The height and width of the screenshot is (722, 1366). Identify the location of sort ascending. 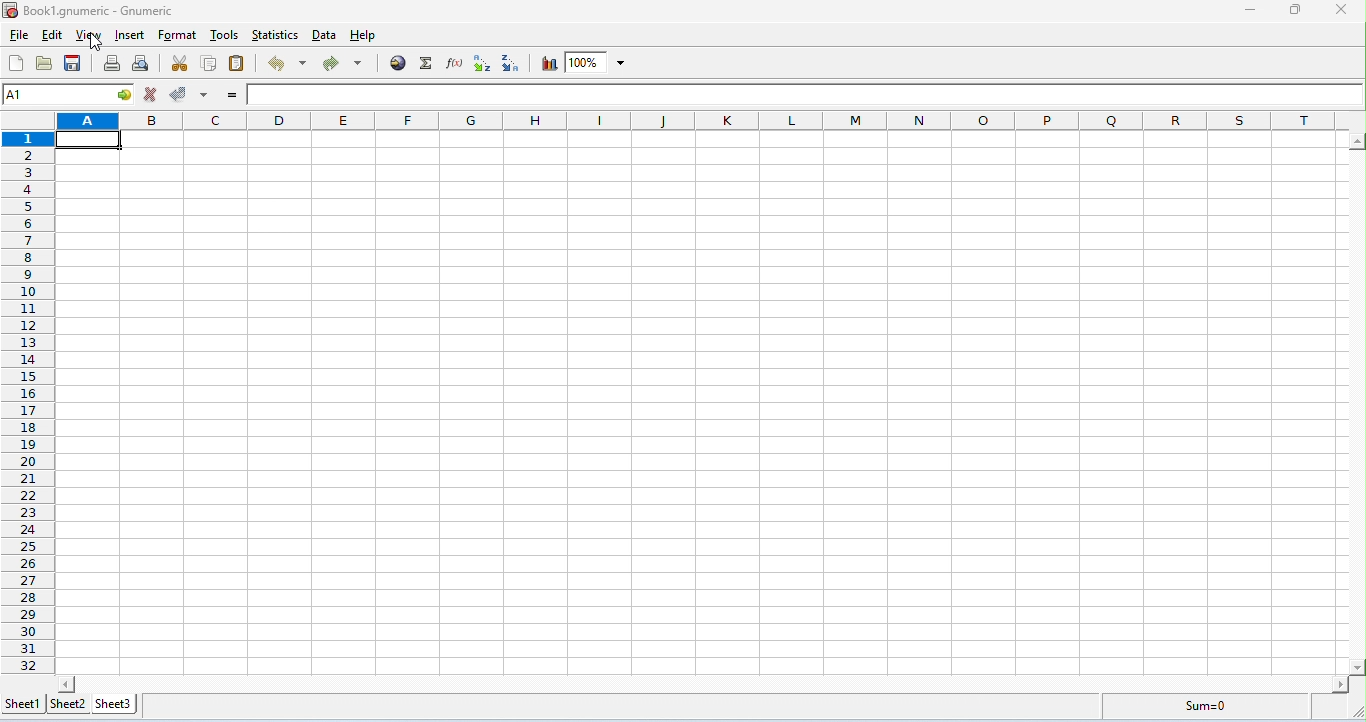
(481, 63).